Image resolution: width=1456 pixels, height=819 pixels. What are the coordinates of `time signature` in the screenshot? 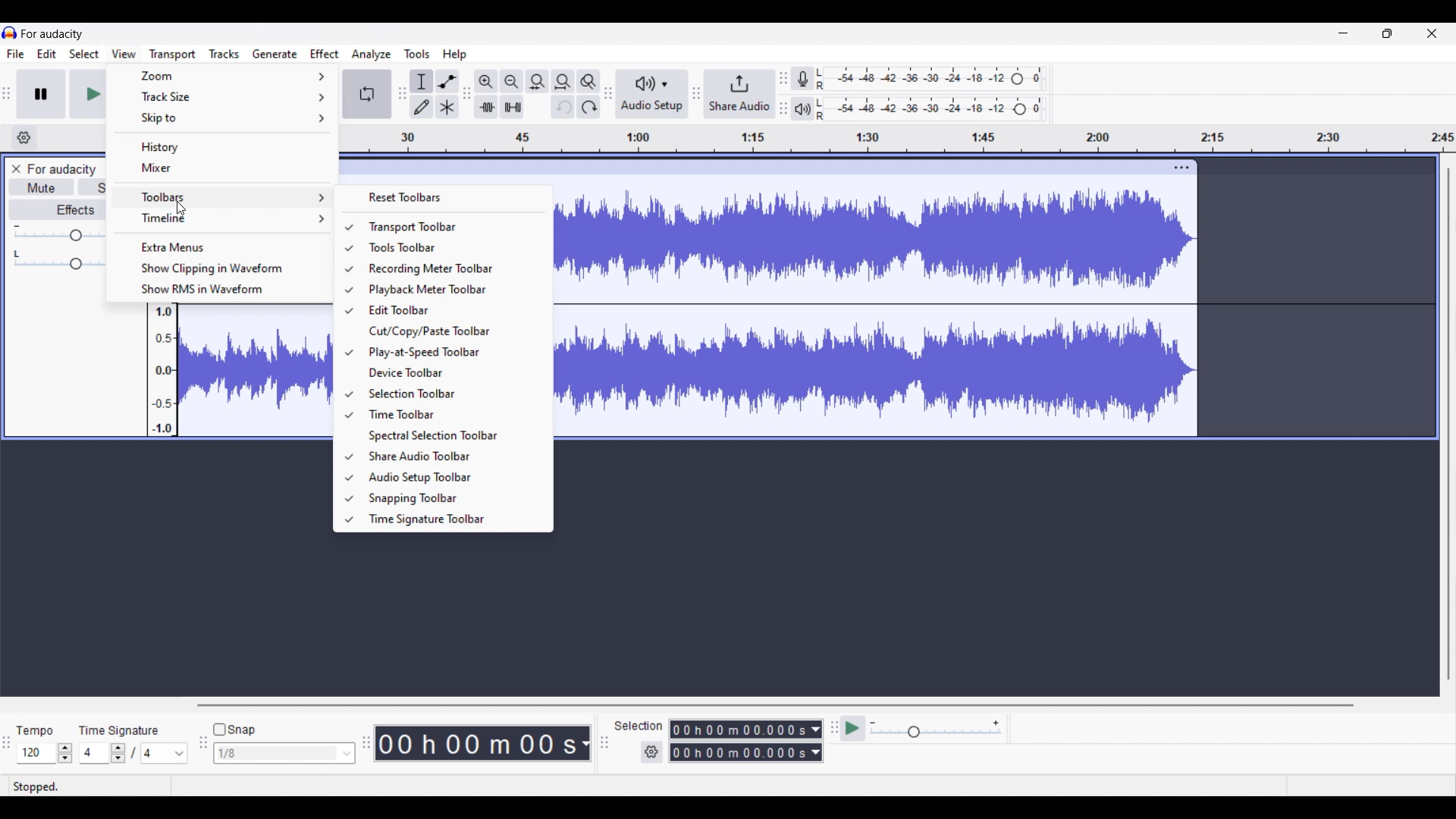 It's located at (120, 731).